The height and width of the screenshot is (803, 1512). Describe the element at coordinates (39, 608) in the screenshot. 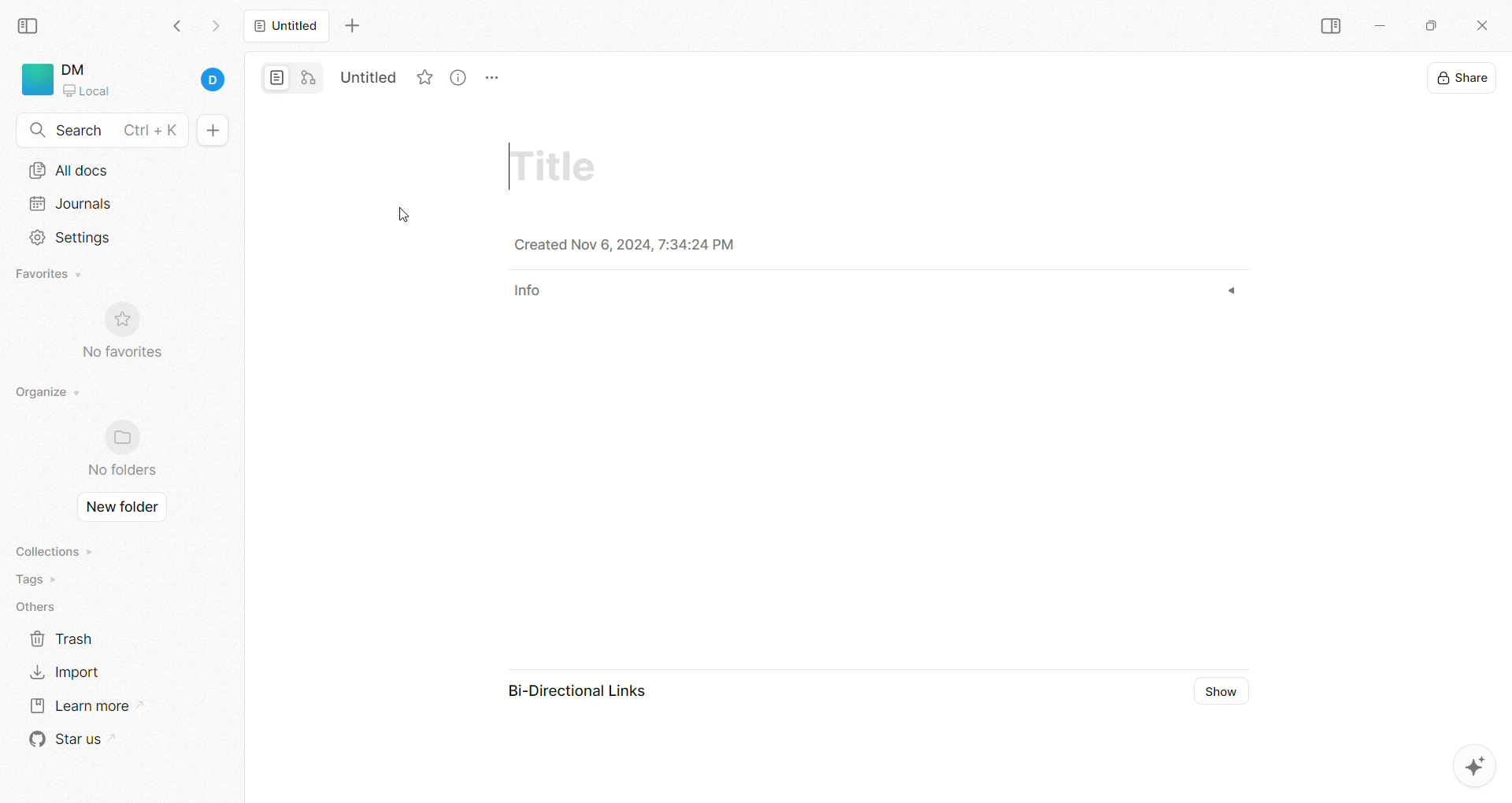

I see `others` at that location.